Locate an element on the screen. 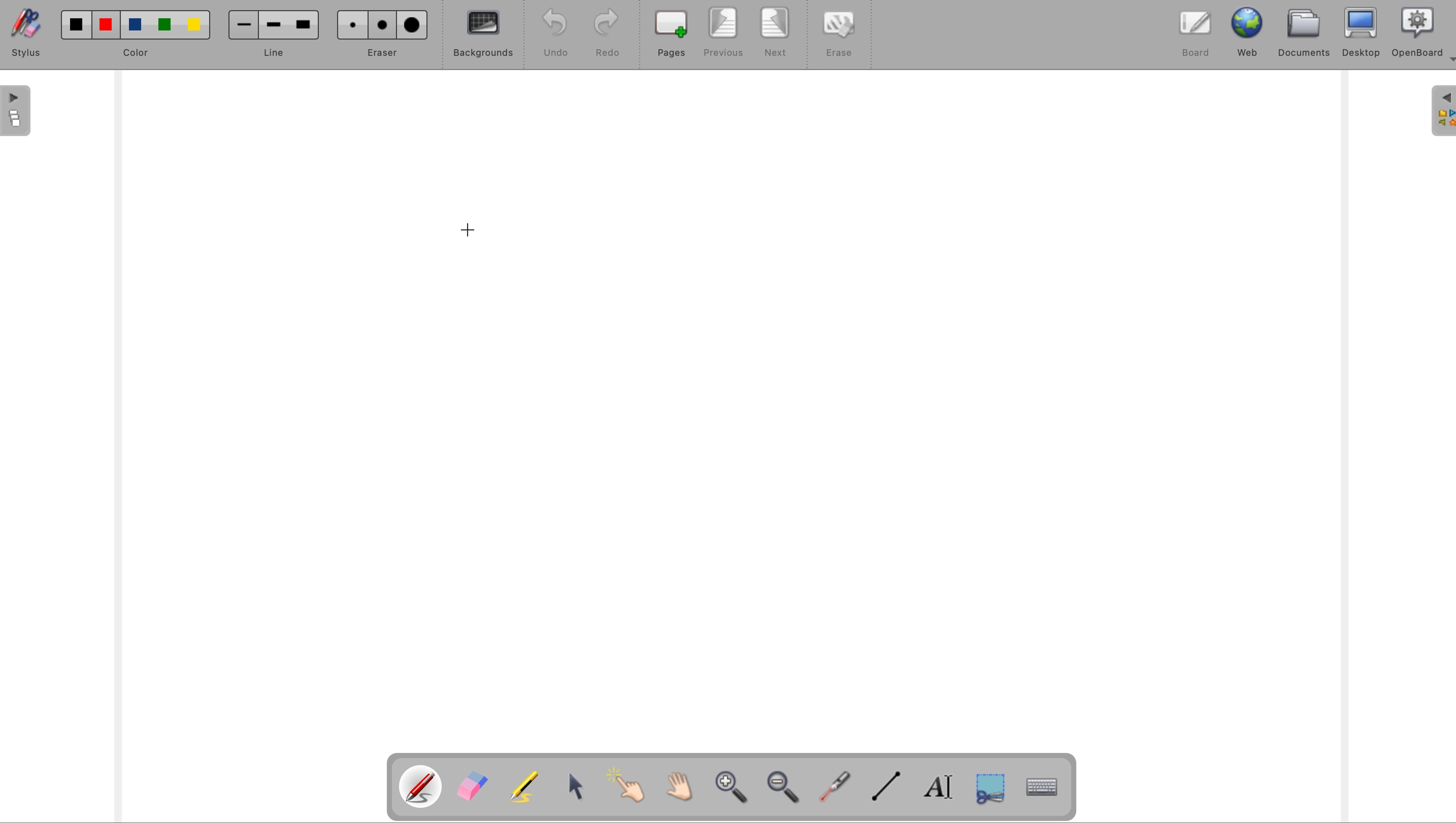 Image resolution: width=1456 pixels, height=823 pixels. next is located at coordinates (775, 33).